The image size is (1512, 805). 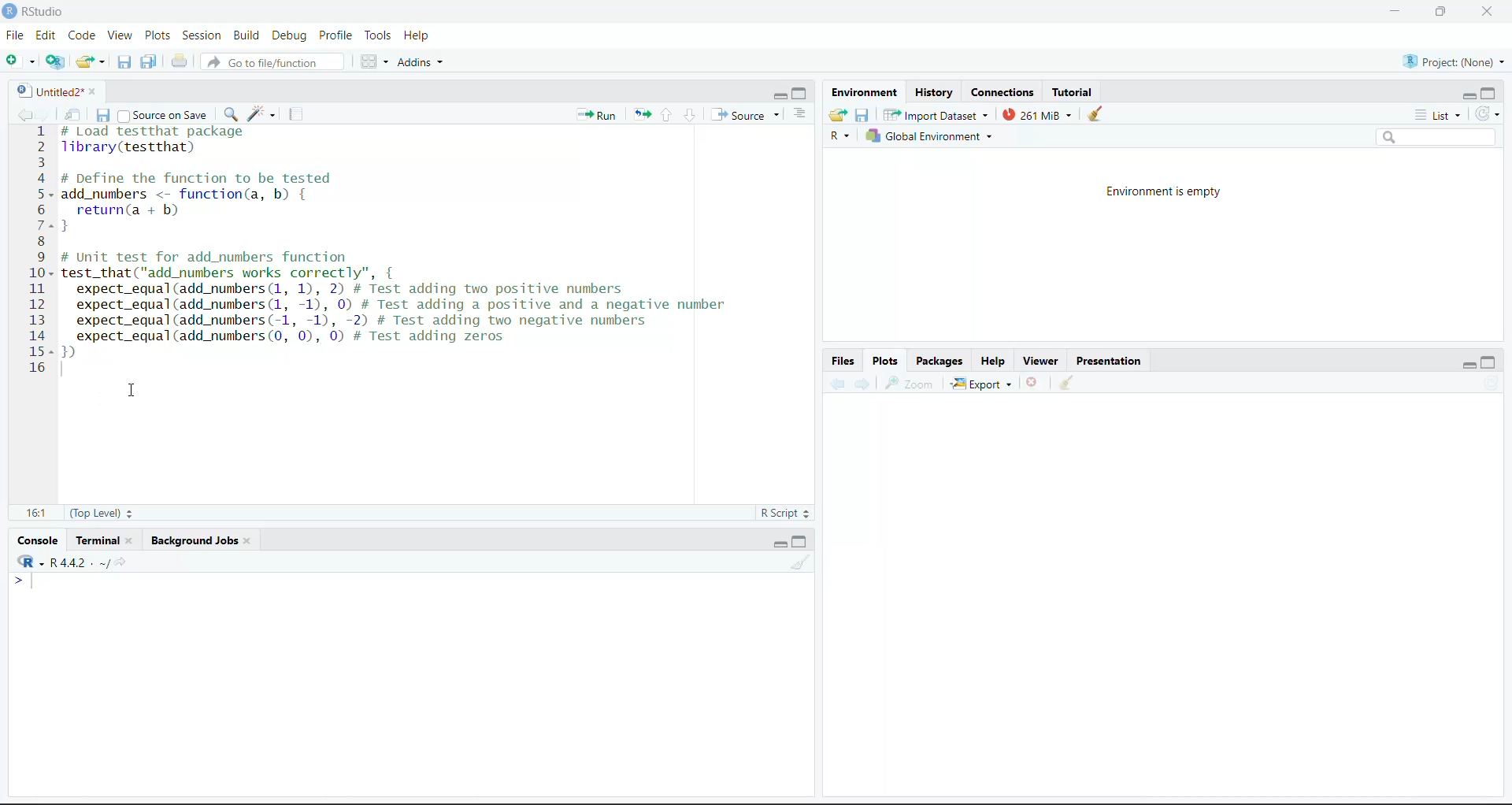 What do you see at coordinates (46, 114) in the screenshot?
I see `go forward` at bounding box center [46, 114].